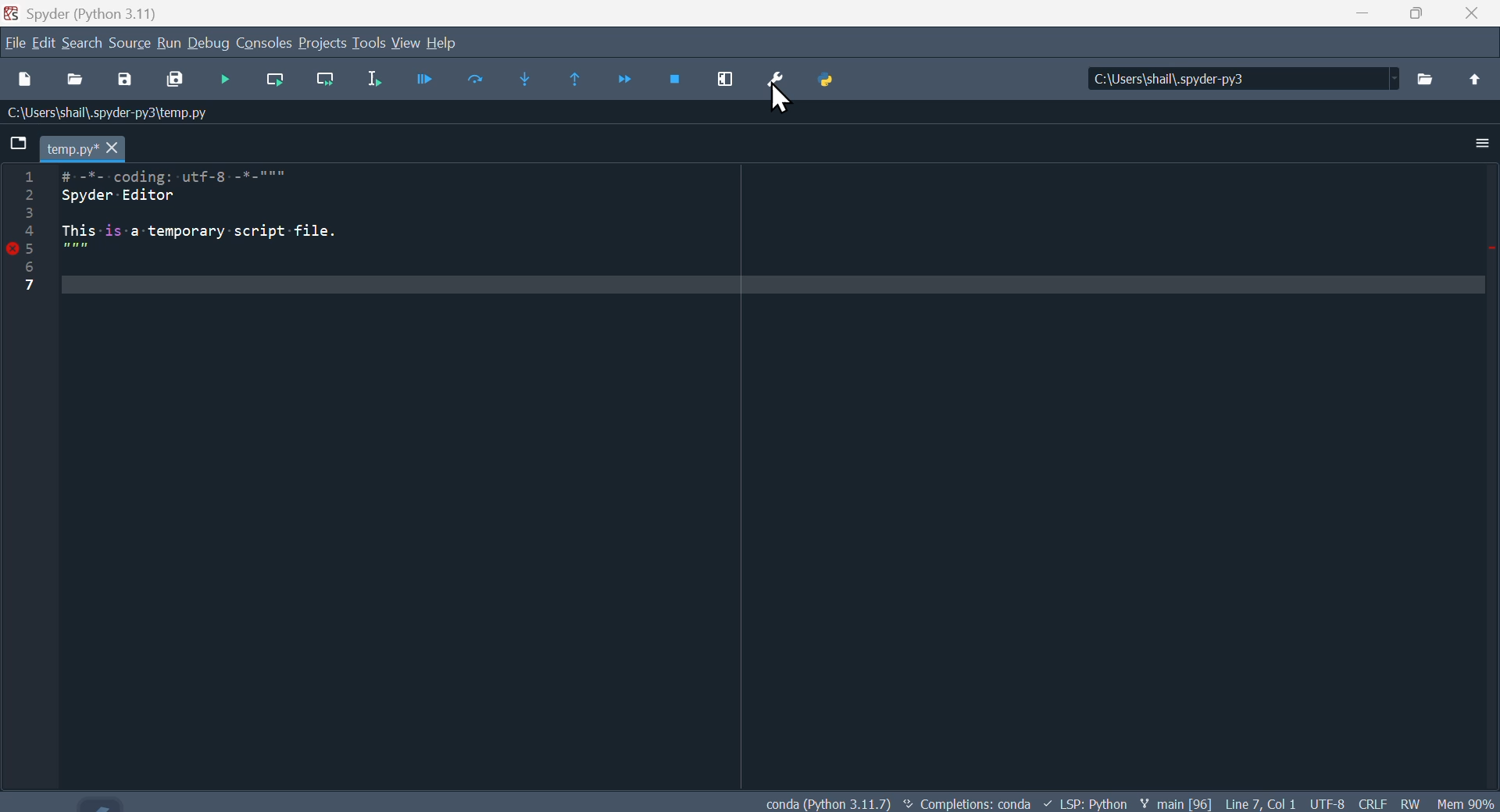 The height and width of the screenshot is (812, 1500). Describe the element at coordinates (77, 79) in the screenshot. I see `Open` at that location.